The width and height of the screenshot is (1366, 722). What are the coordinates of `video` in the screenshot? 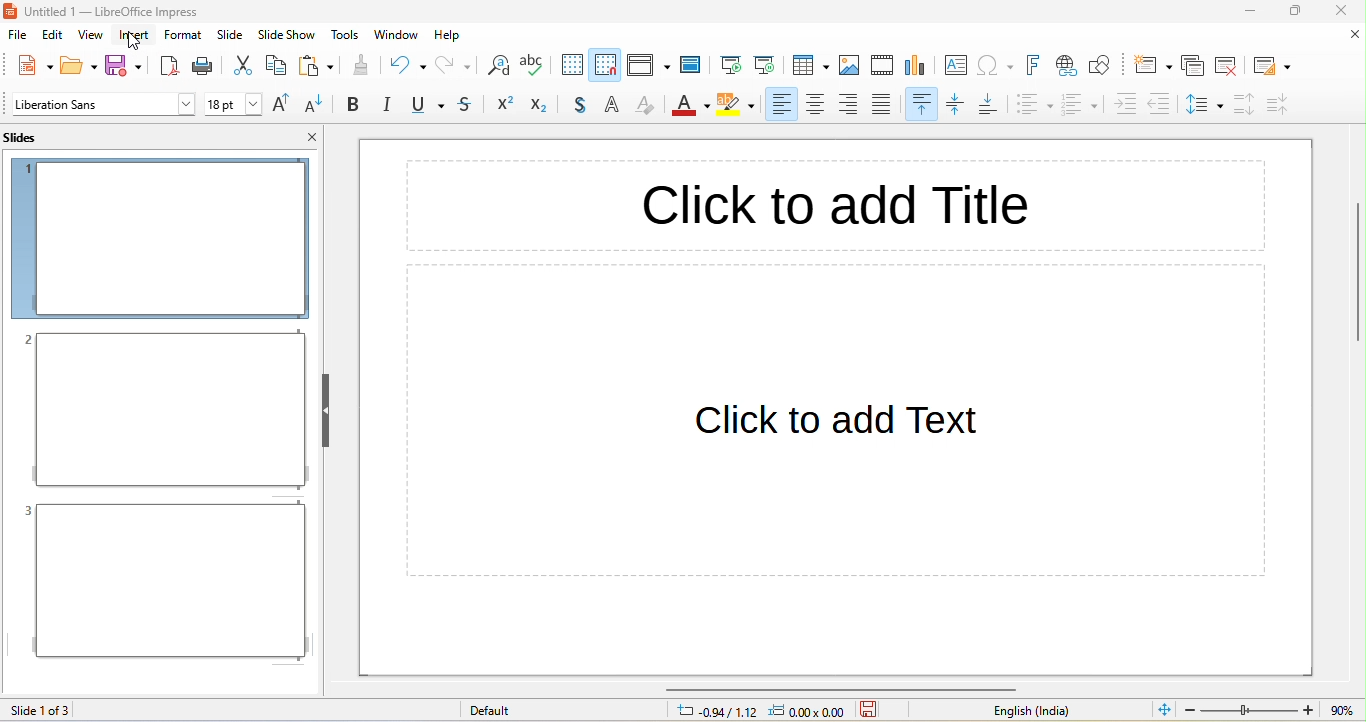 It's located at (882, 64).